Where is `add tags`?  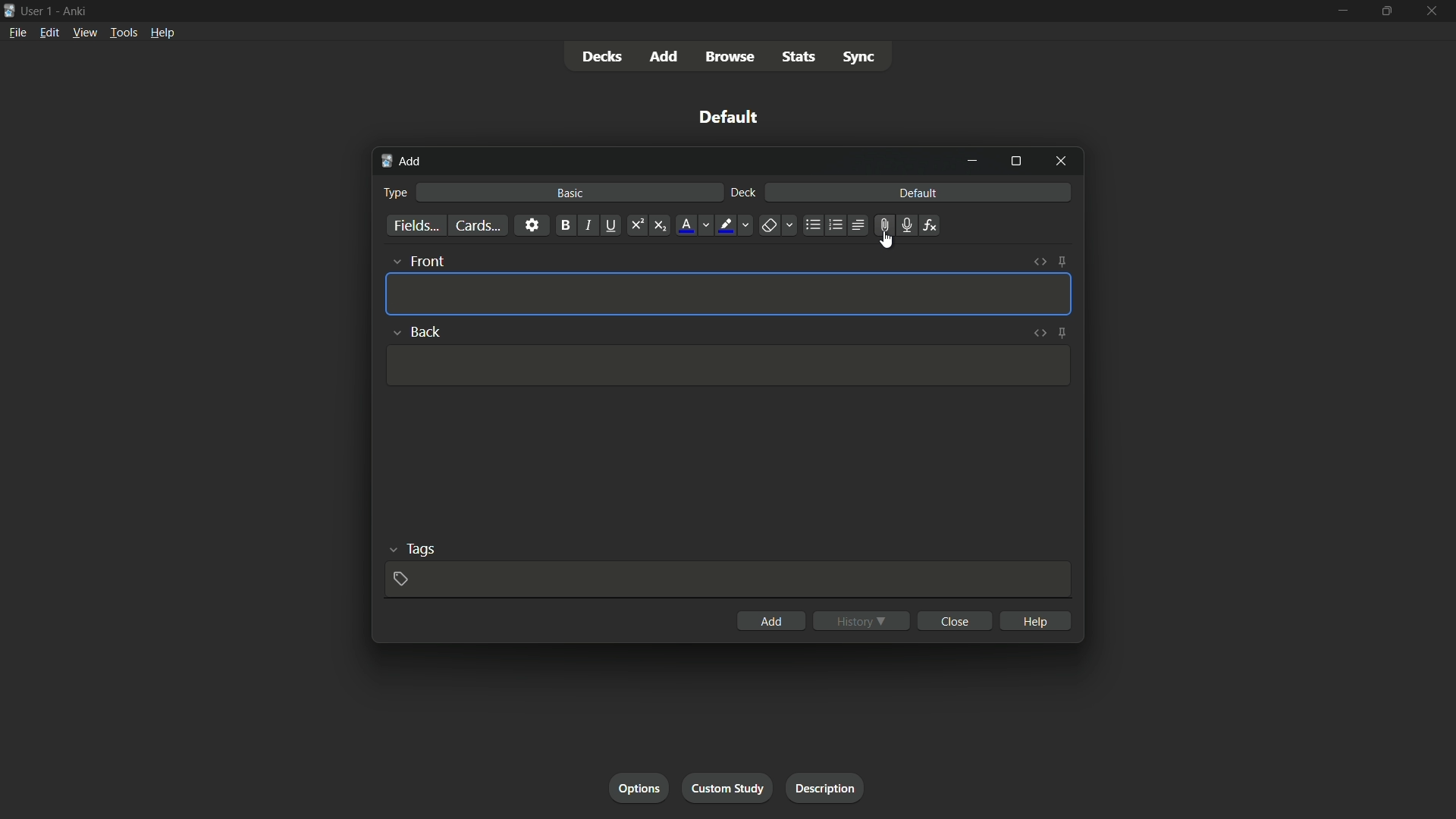 add tags is located at coordinates (403, 580).